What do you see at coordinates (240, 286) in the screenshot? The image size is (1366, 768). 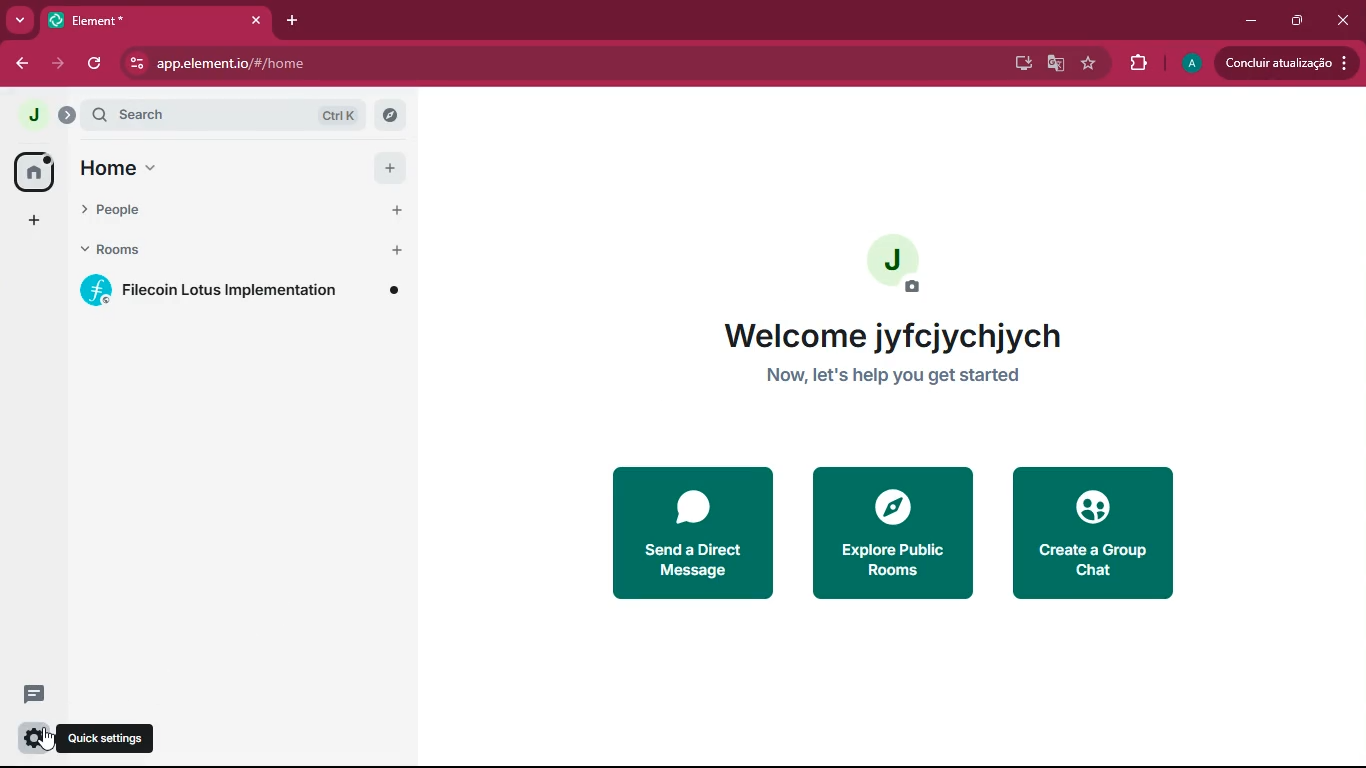 I see `filecoin lotus implementation ` at bounding box center [240, 286].